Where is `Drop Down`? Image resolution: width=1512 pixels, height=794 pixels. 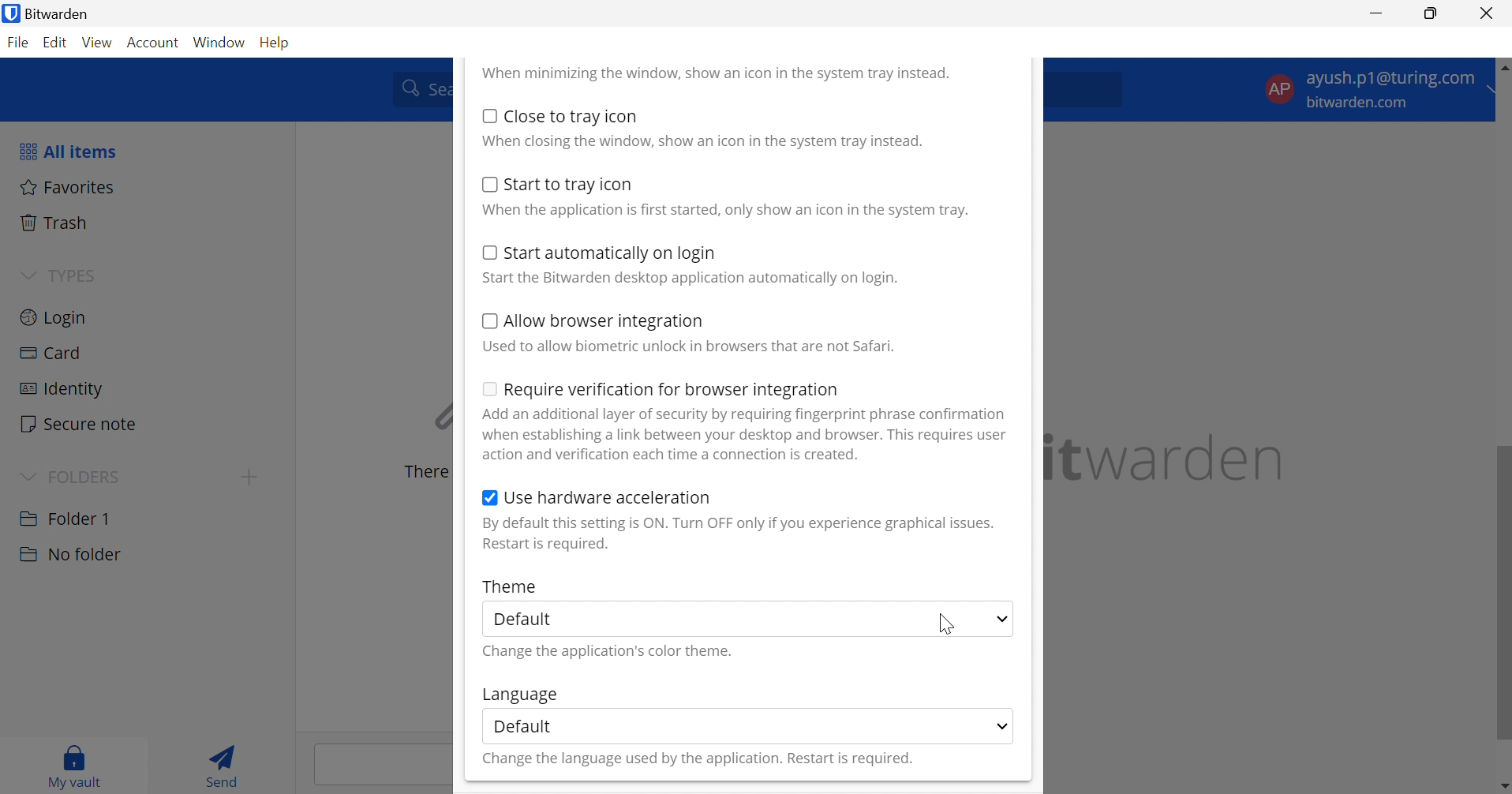
Drop Down is located at coordinates (27, 474).